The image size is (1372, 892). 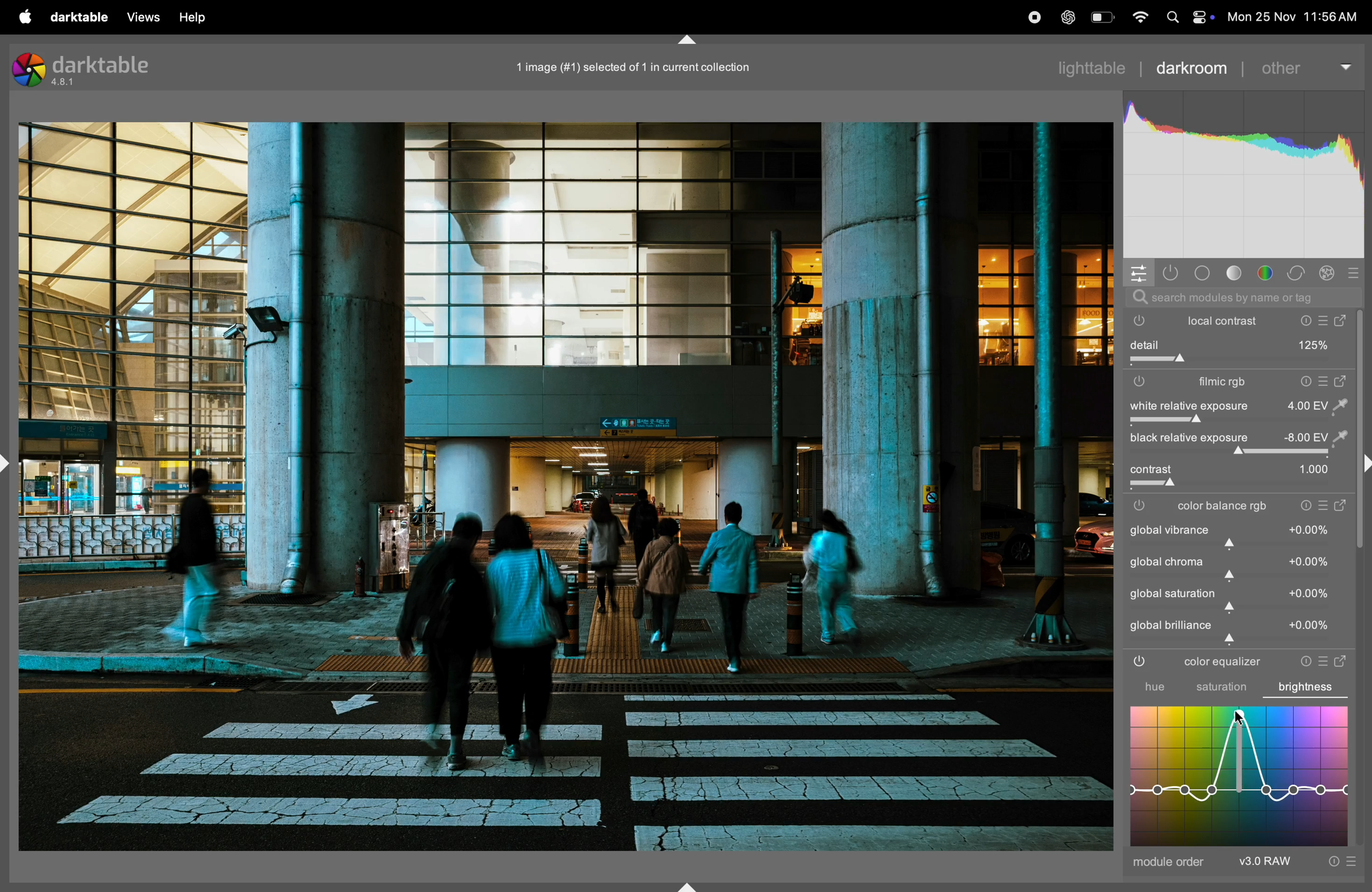 I want to click on logo, so click(x=29, y=71).